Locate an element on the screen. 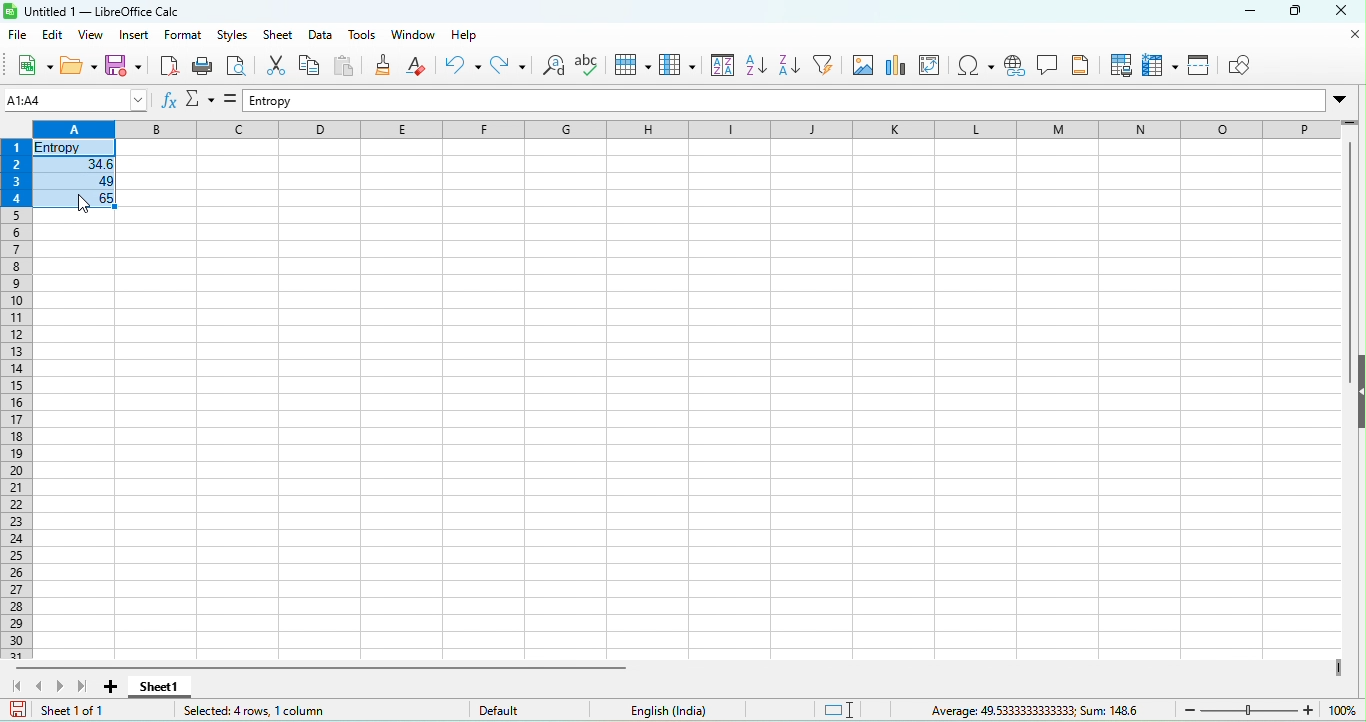  export directly as pdf is located at coordinates (172, 65).